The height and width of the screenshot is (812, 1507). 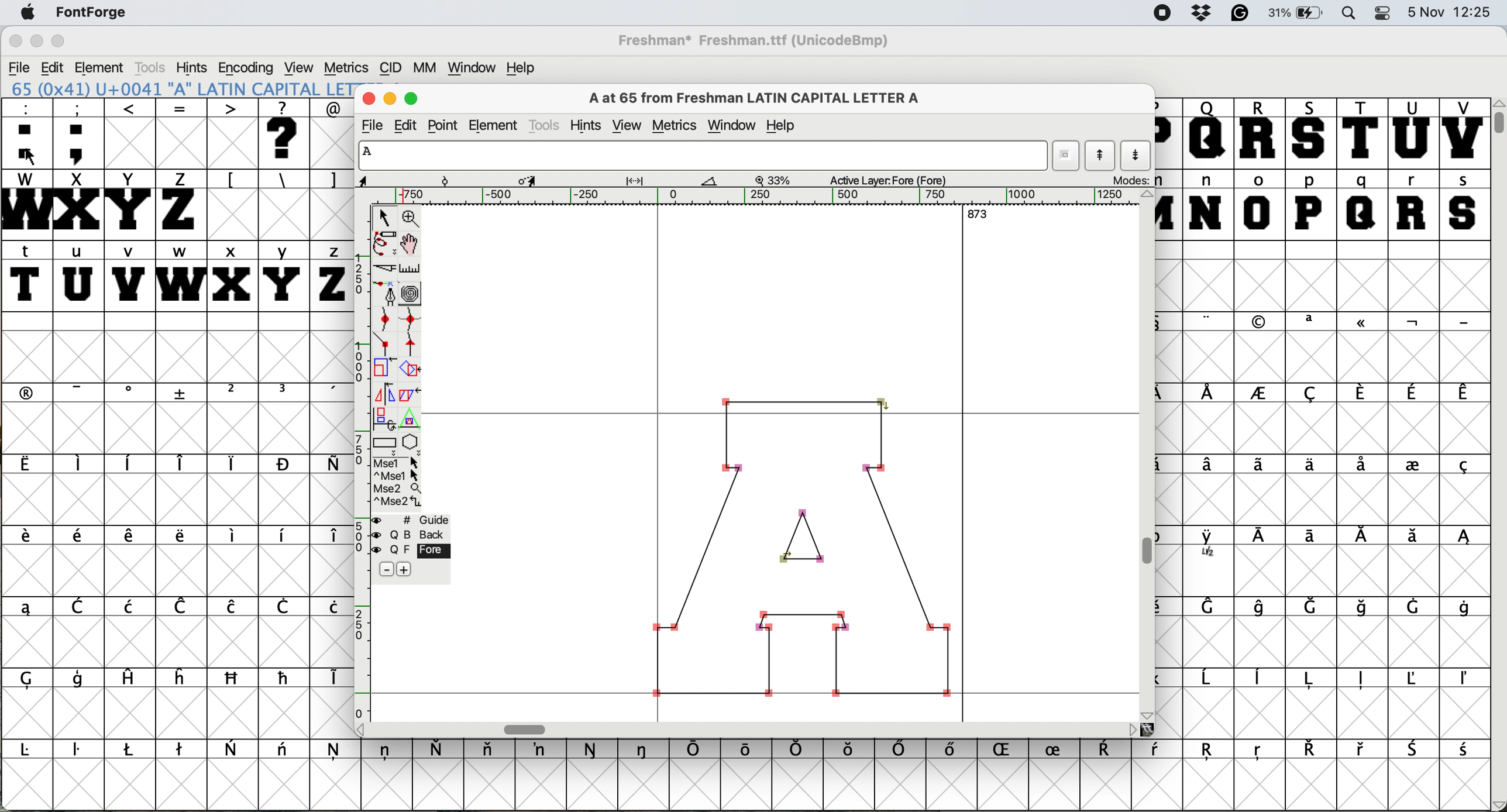 What do you see at coordinates (301, 67) in the screenshot?
I see `view` at bounding box center [301, 67].